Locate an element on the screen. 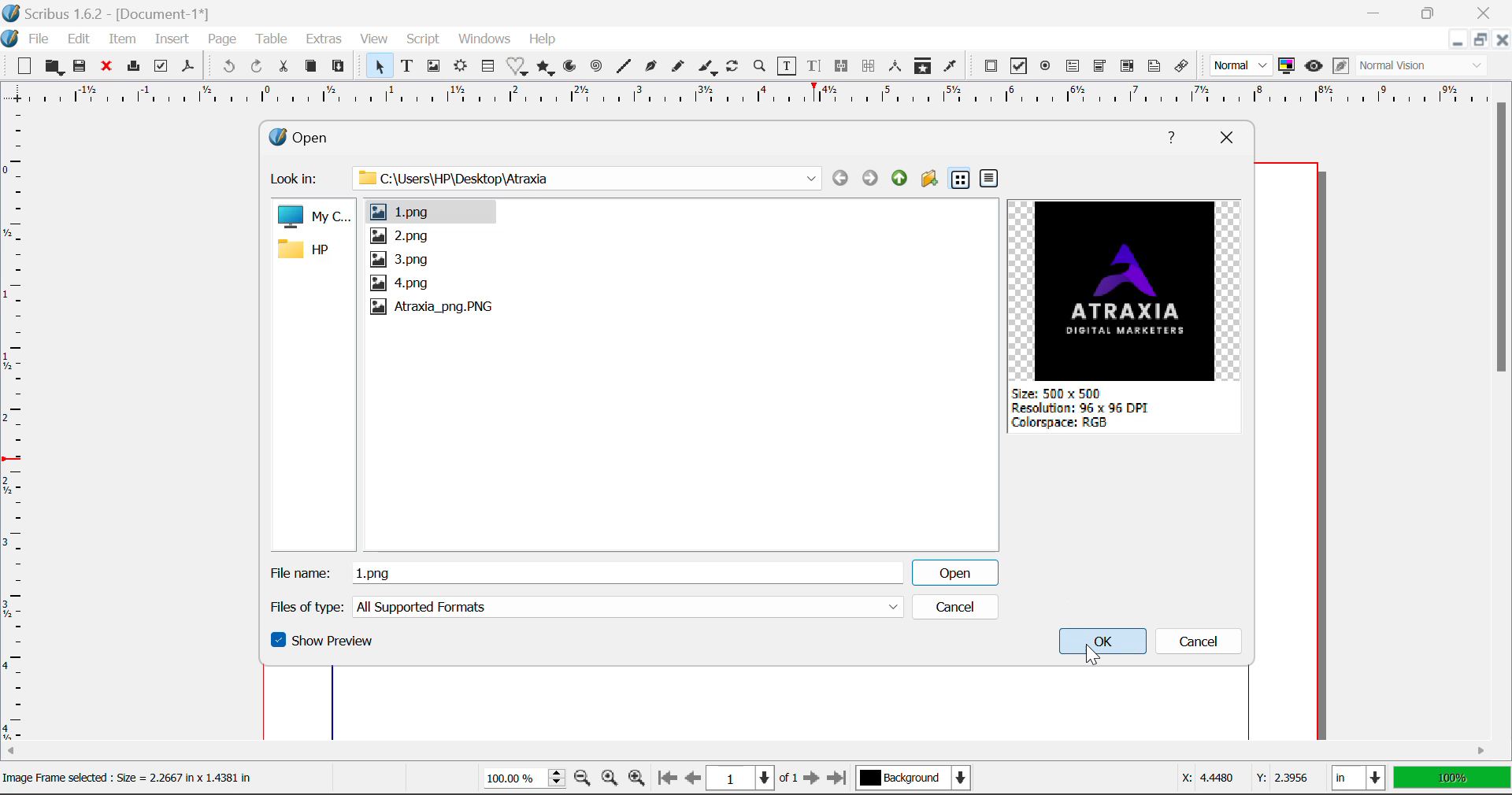  Open is located at coordinates (323, 135).